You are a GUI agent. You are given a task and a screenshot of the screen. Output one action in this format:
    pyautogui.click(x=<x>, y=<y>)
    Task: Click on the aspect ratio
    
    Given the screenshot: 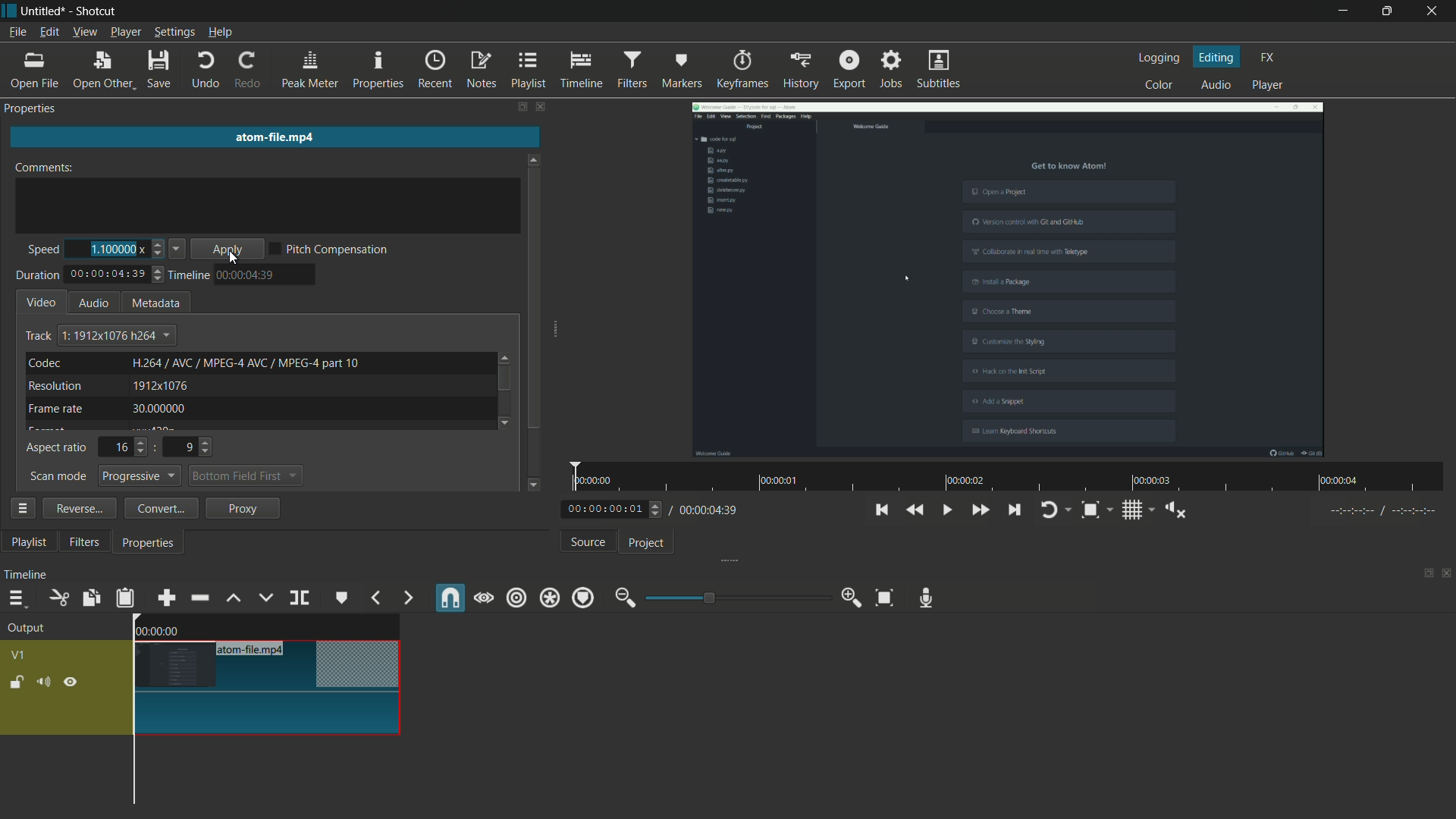 What is the action you would take?
    pyautogui.click(x=58, y=449)
    